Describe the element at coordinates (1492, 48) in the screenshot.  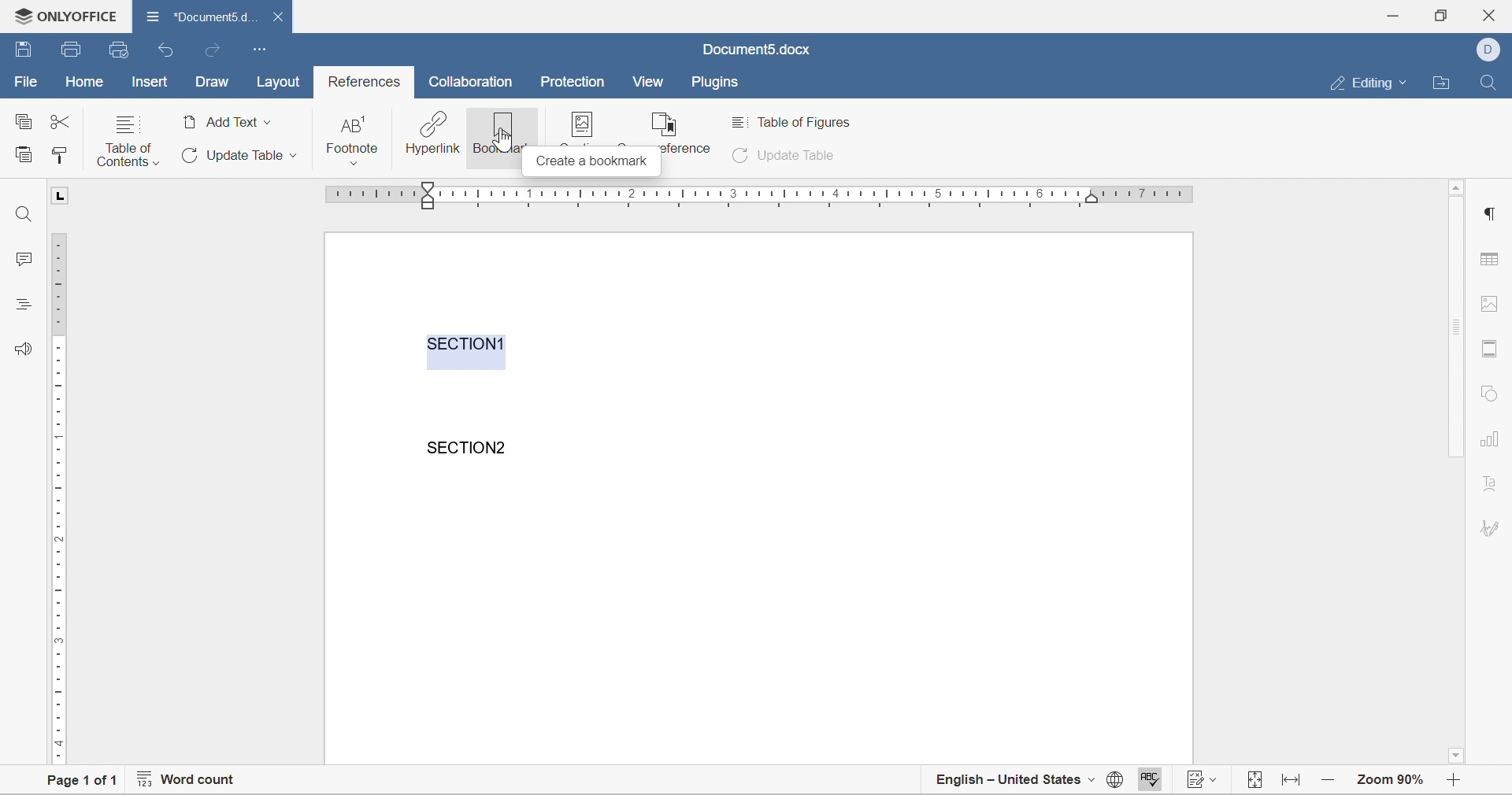
I see `dell` at that location.